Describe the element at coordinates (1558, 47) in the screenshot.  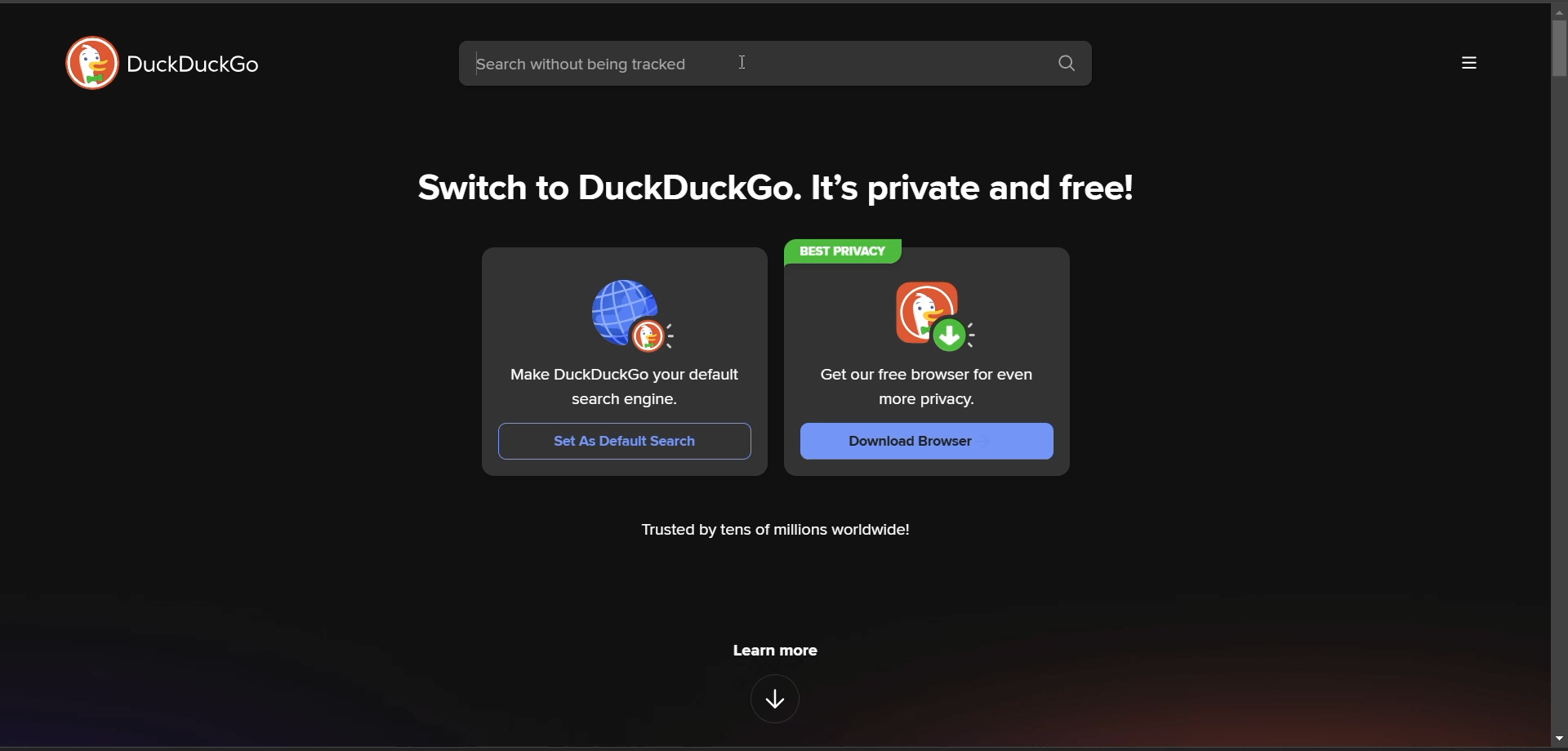
I see `vertical scroll bar` at that location.